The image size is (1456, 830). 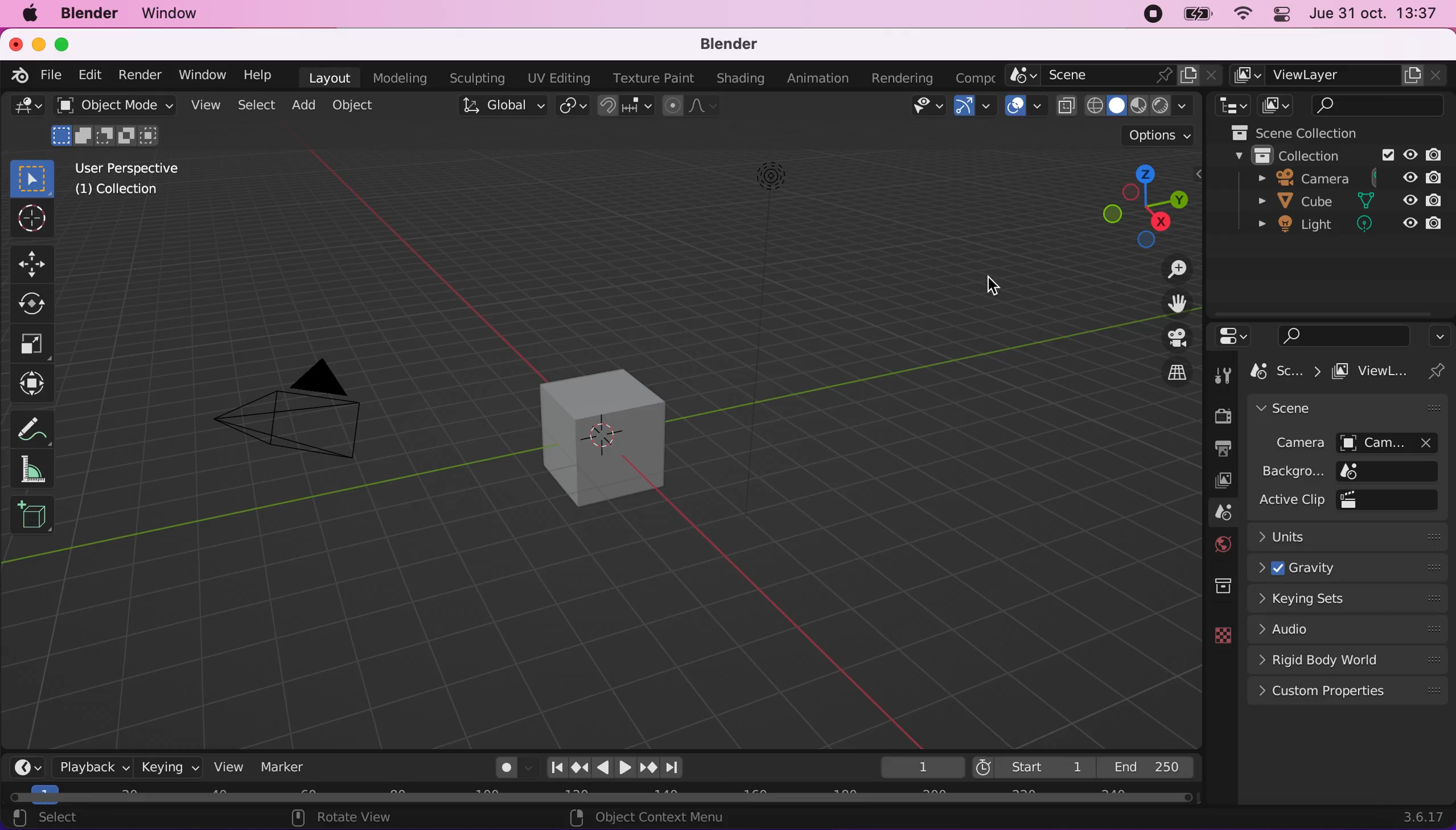 What do you see at coordinates (87, 15) in the screenshot?
I see `blender` at bounding box center [87, 15].